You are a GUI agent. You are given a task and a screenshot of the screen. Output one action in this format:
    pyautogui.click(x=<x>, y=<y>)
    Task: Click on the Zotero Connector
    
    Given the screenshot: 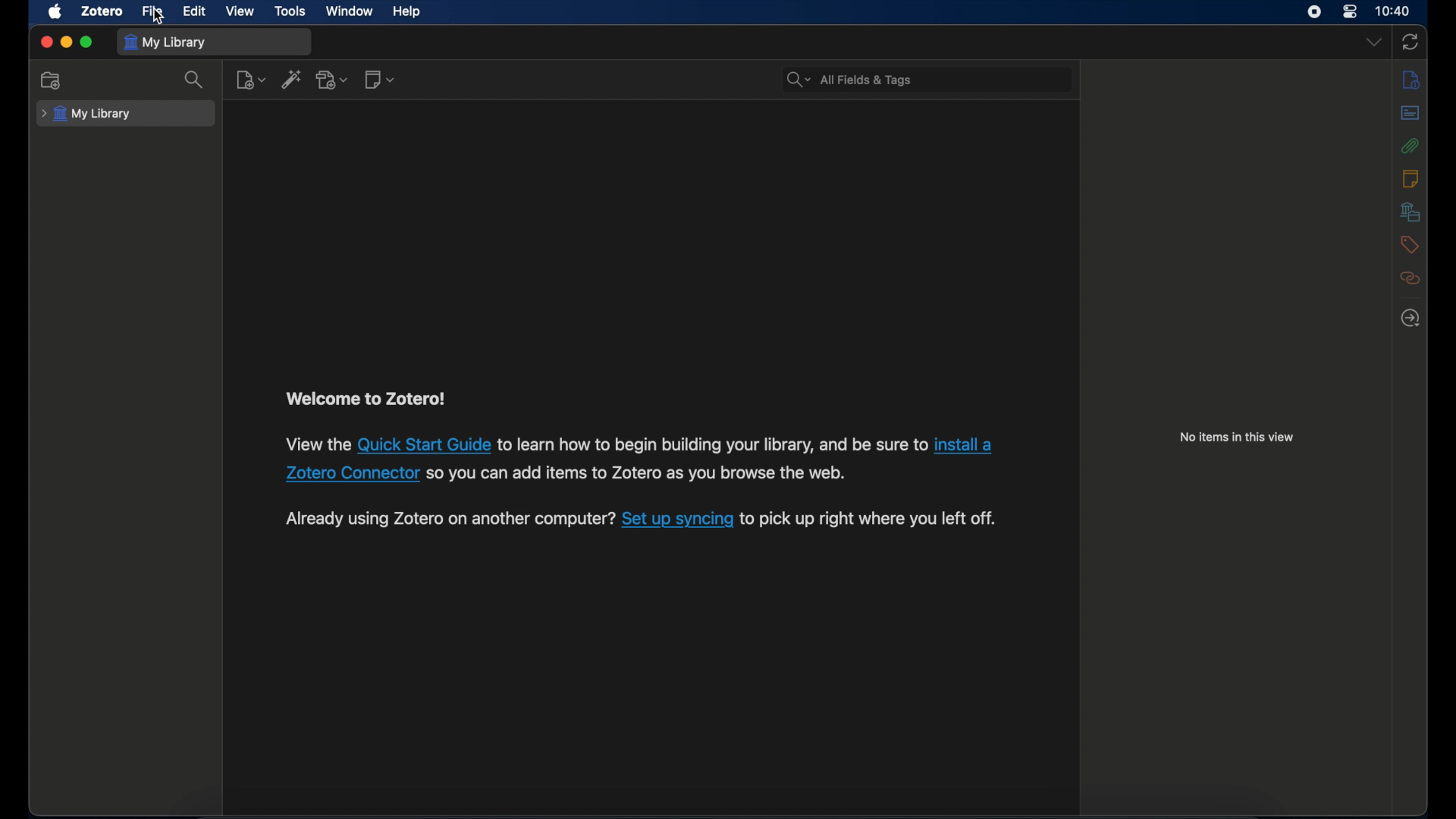 What is the action you would take?
    pyautogui.click(x=352, y=473)
    